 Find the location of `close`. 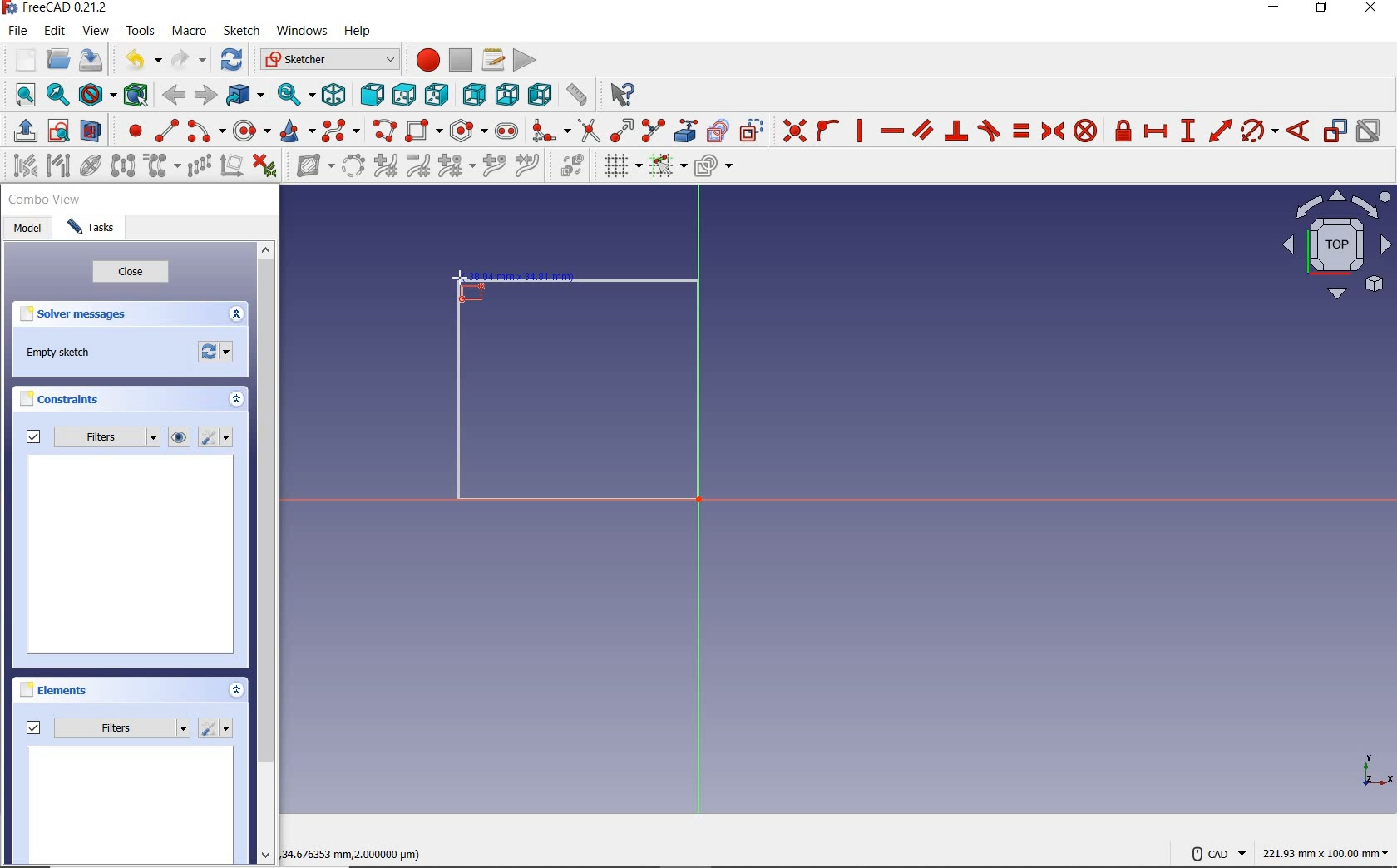

close is located at coordinates (1375, 10).